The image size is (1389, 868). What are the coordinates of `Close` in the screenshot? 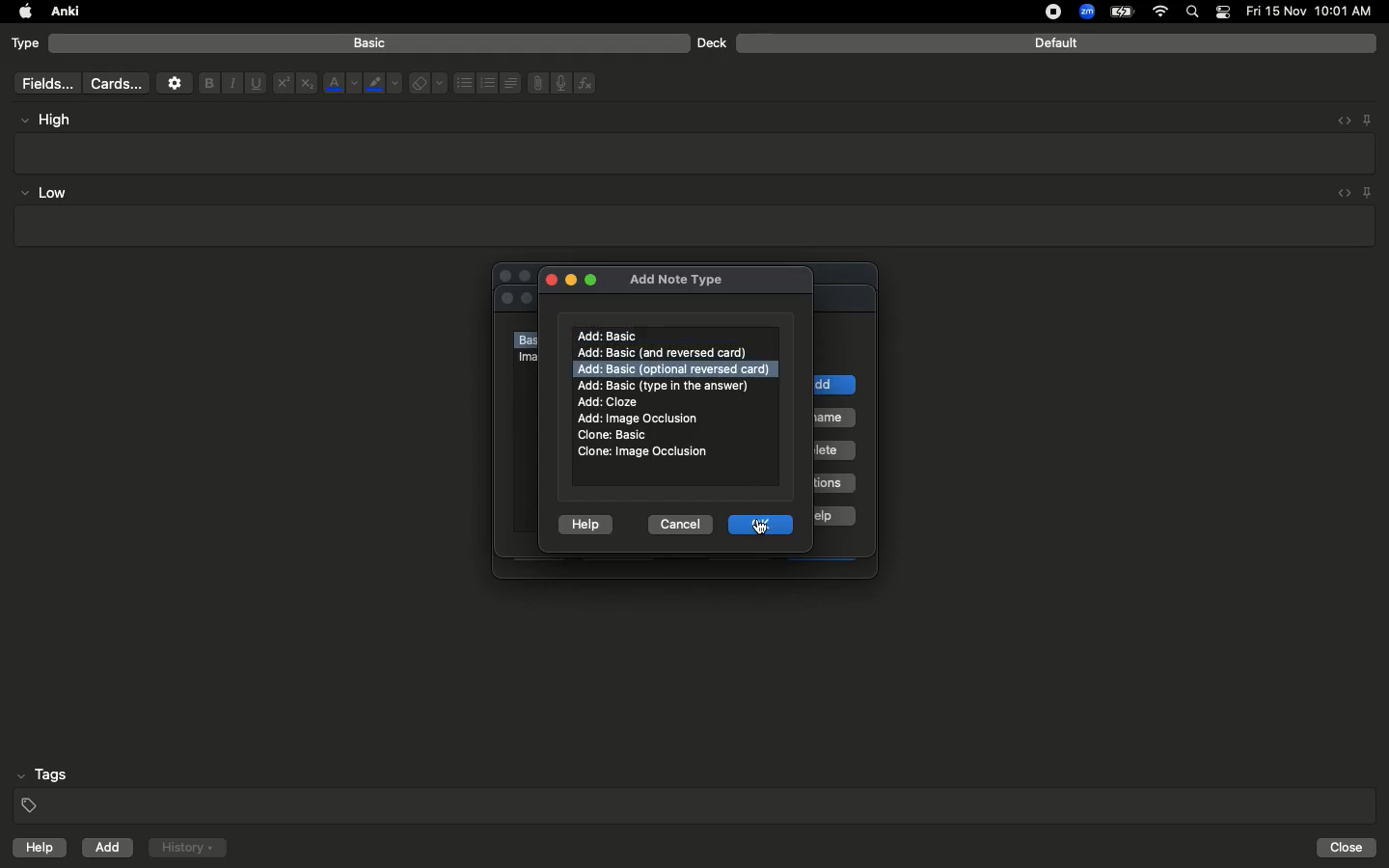 It's located at (548, 278).